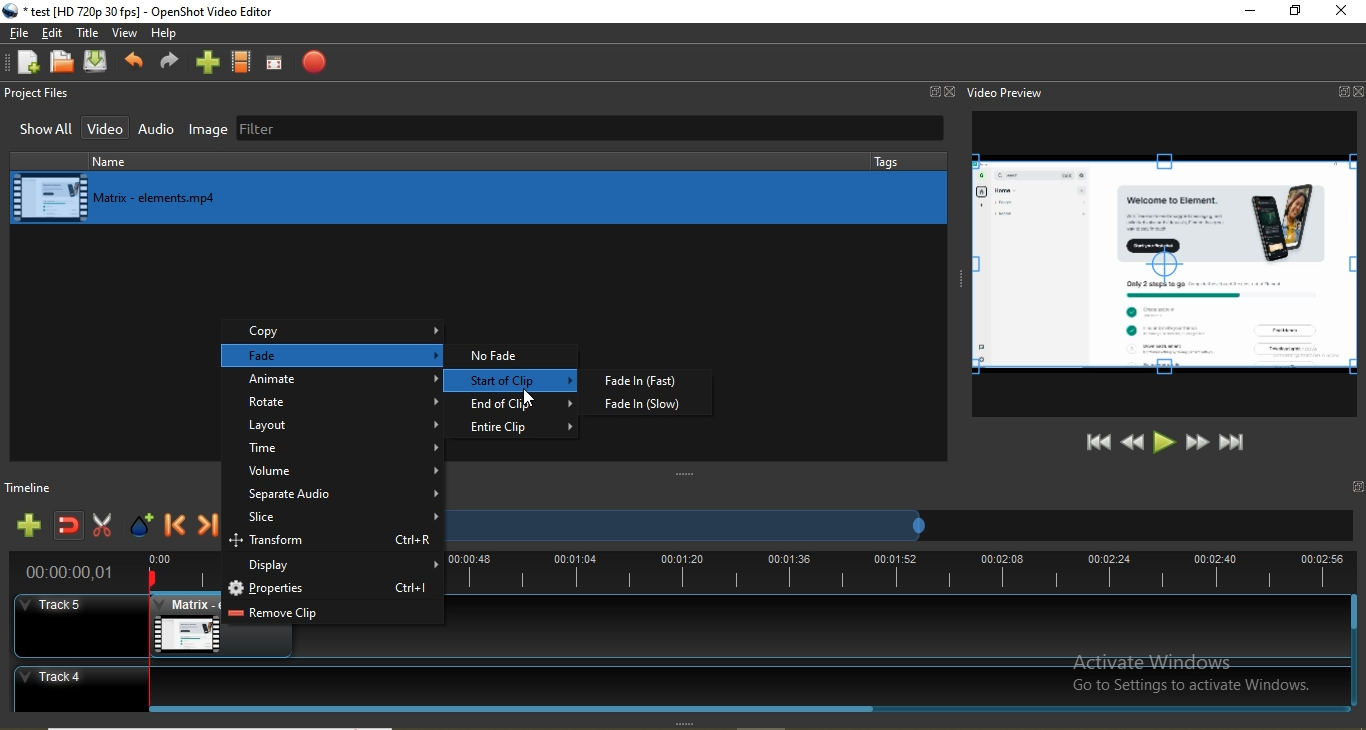 This screenshot has height=730, width=1366. What do you see at coordinates (208, 132) in the screenshot?
I see `Image` at bounding box center [208, 132].